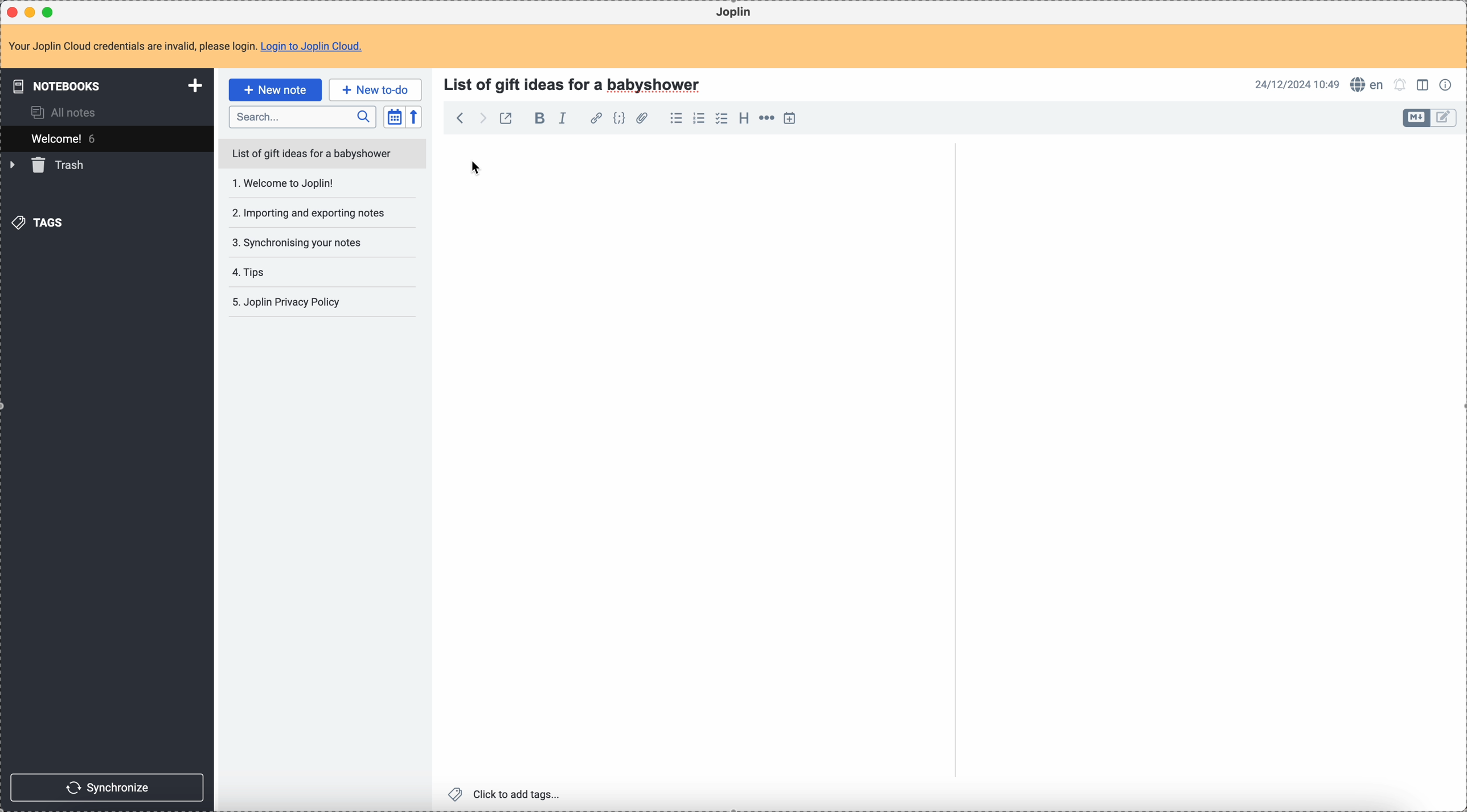  Describe the element at coordinates (596, 119) in the screenshot. I see `hyperlink` at that location.